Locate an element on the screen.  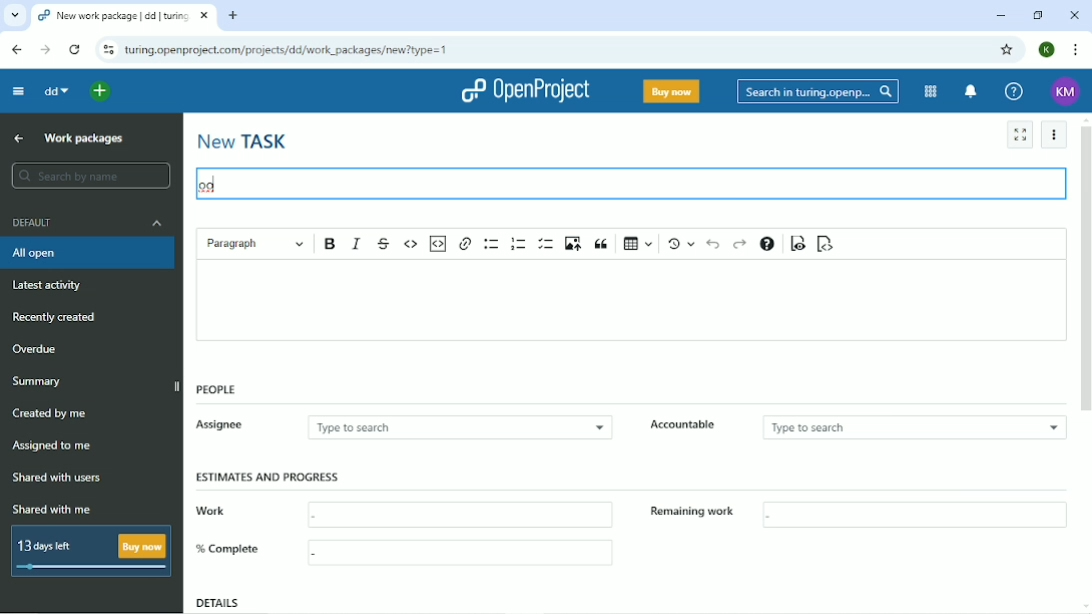
Vertical scrollbar is located at coordinates (1085, 268).